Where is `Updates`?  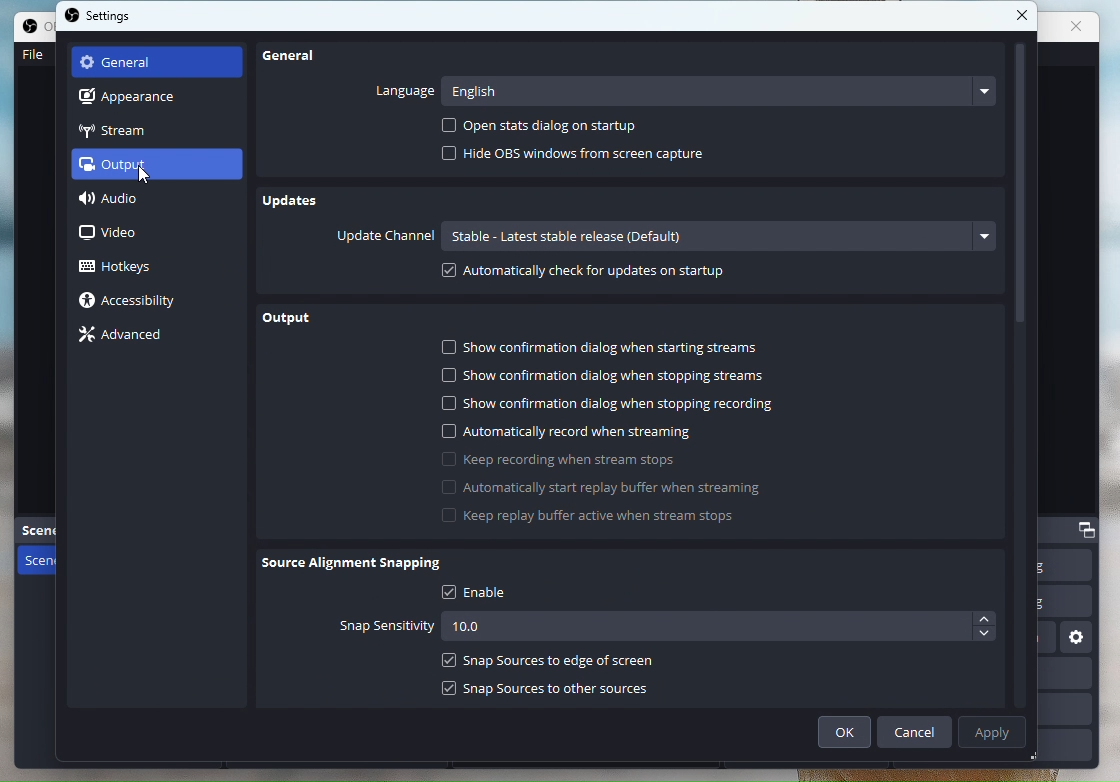 Updates is located at coordinates (288, 201).